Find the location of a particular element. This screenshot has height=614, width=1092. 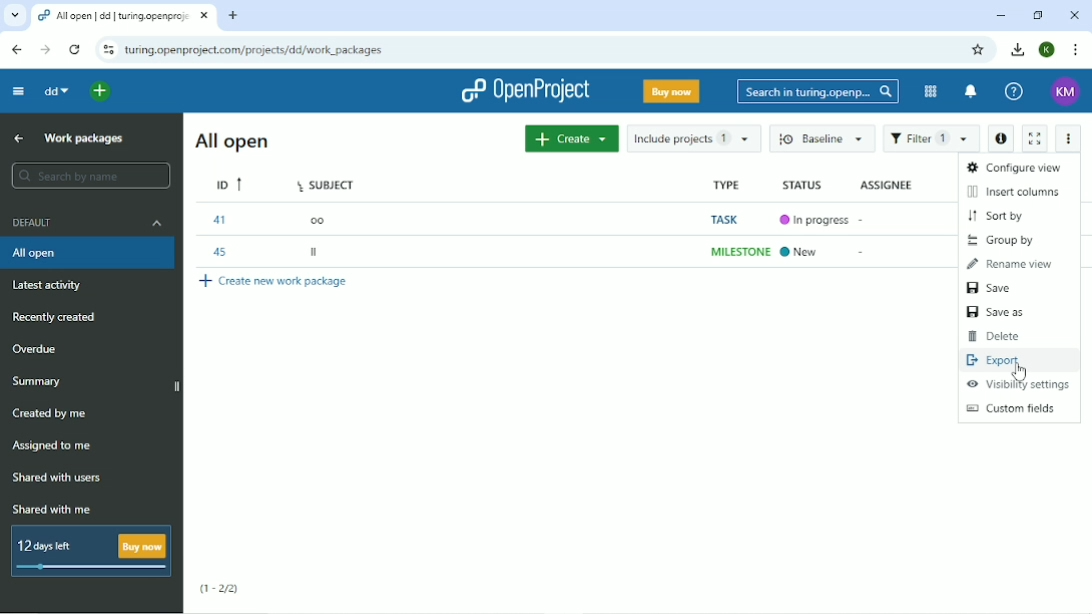

Search by name is located at coordinates (89, 176).